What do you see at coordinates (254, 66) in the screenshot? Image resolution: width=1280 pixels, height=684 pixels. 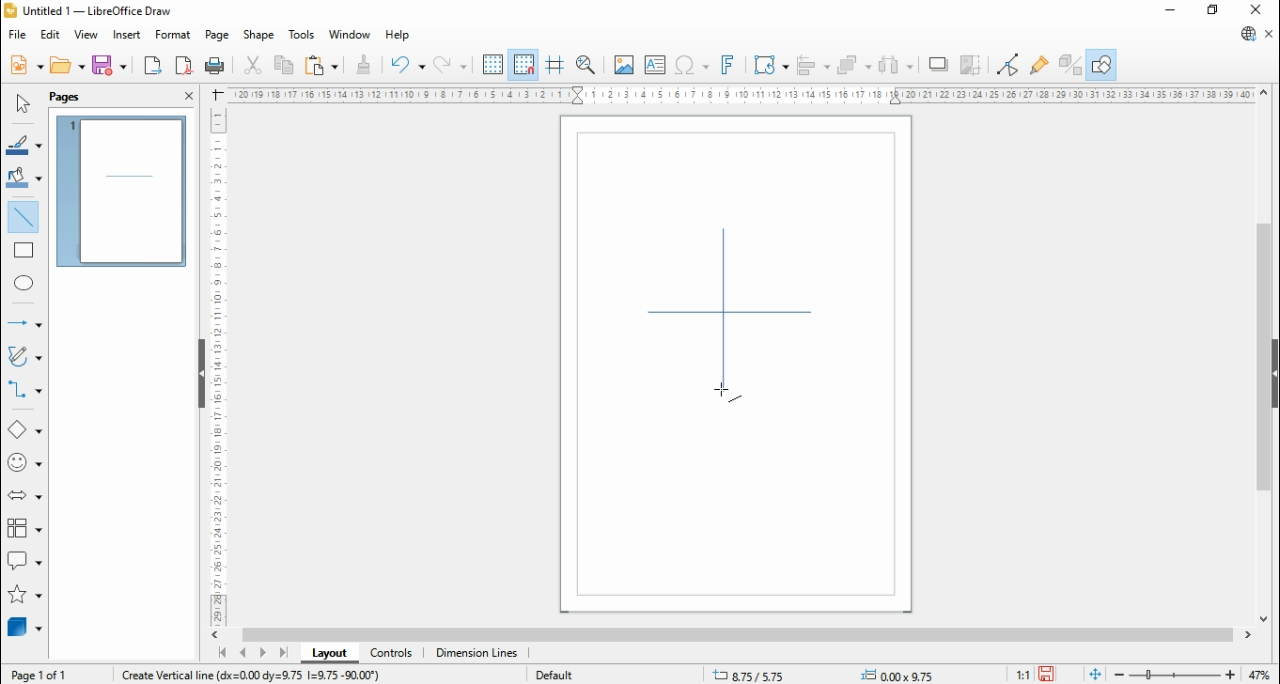 I see `cut` at bounding box center [254, 66].